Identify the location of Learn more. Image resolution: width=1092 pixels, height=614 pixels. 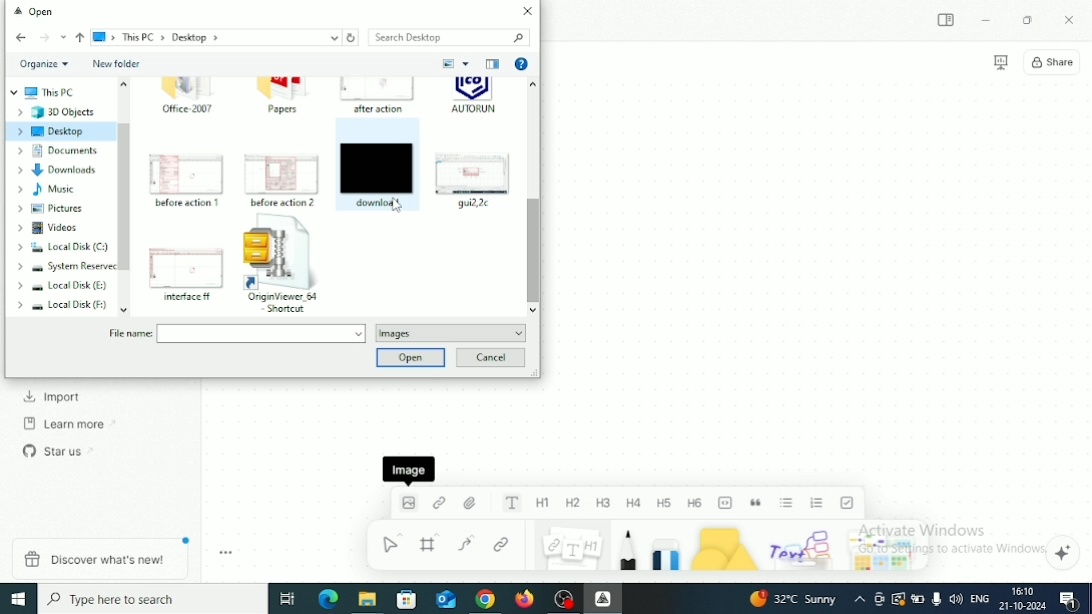
(71, 423).